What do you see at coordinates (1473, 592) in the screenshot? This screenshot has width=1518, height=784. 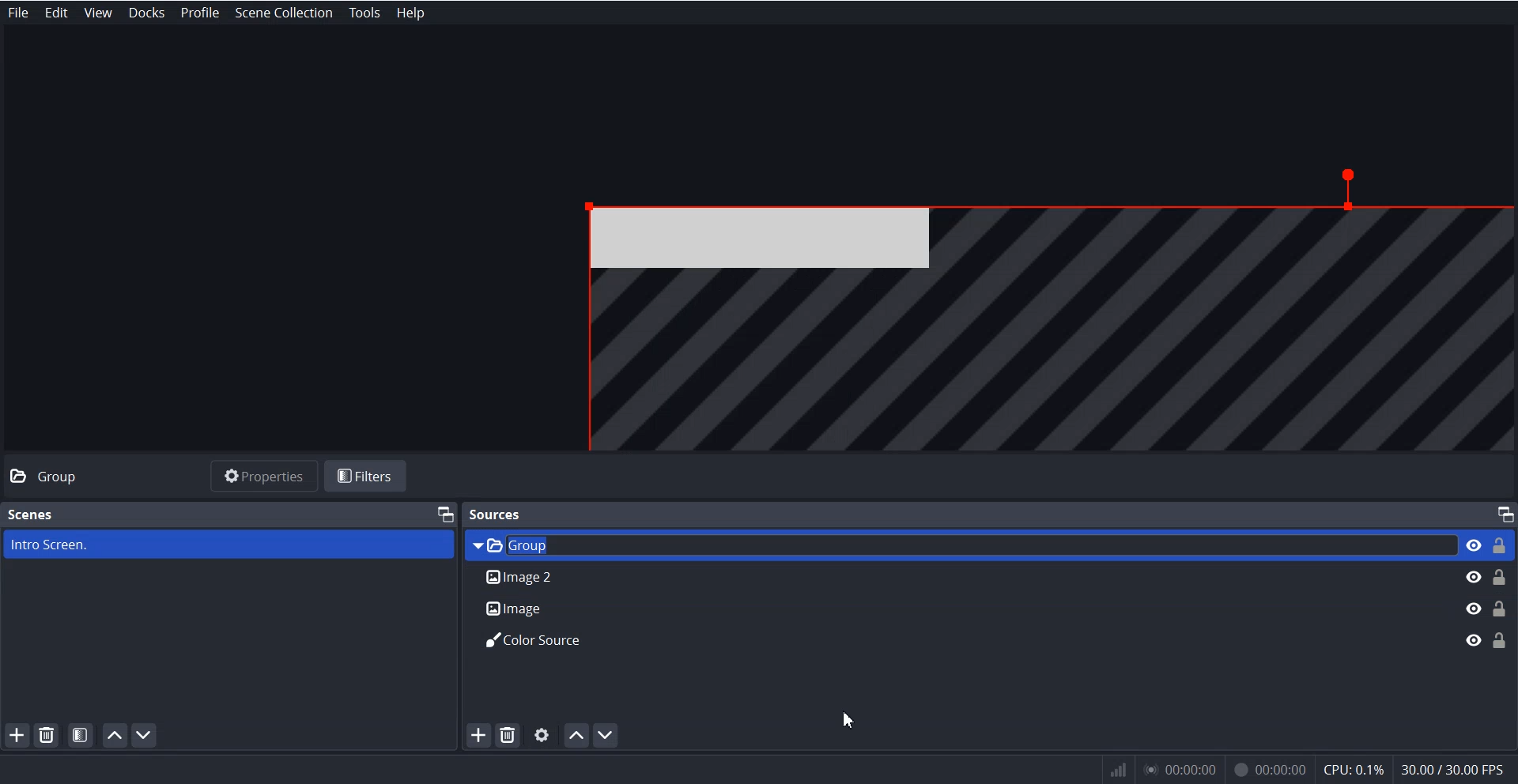 I see `Eye` at bounding box center [1473, 592].